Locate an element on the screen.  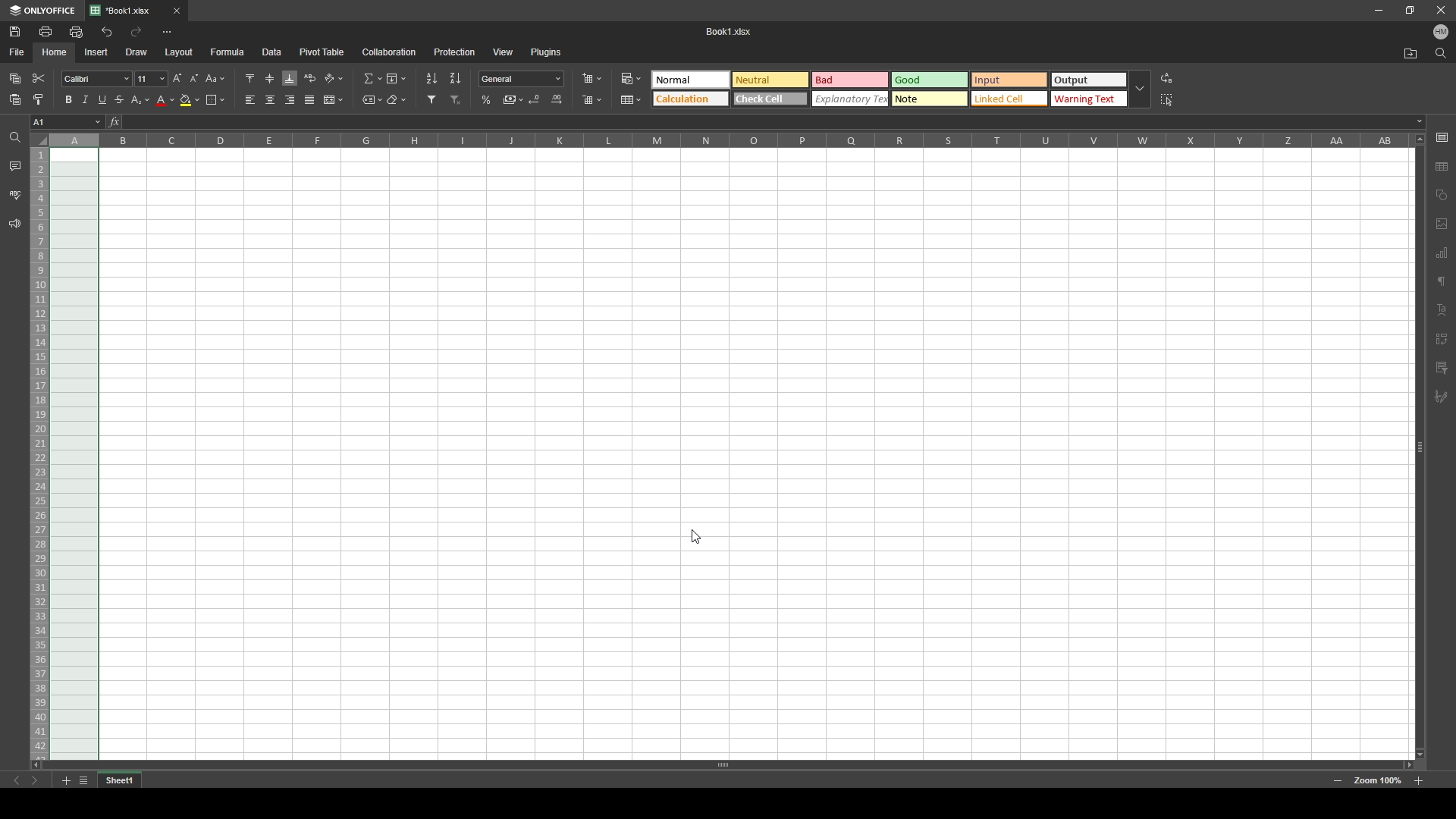
orientation is located at coordinates (334, 79).